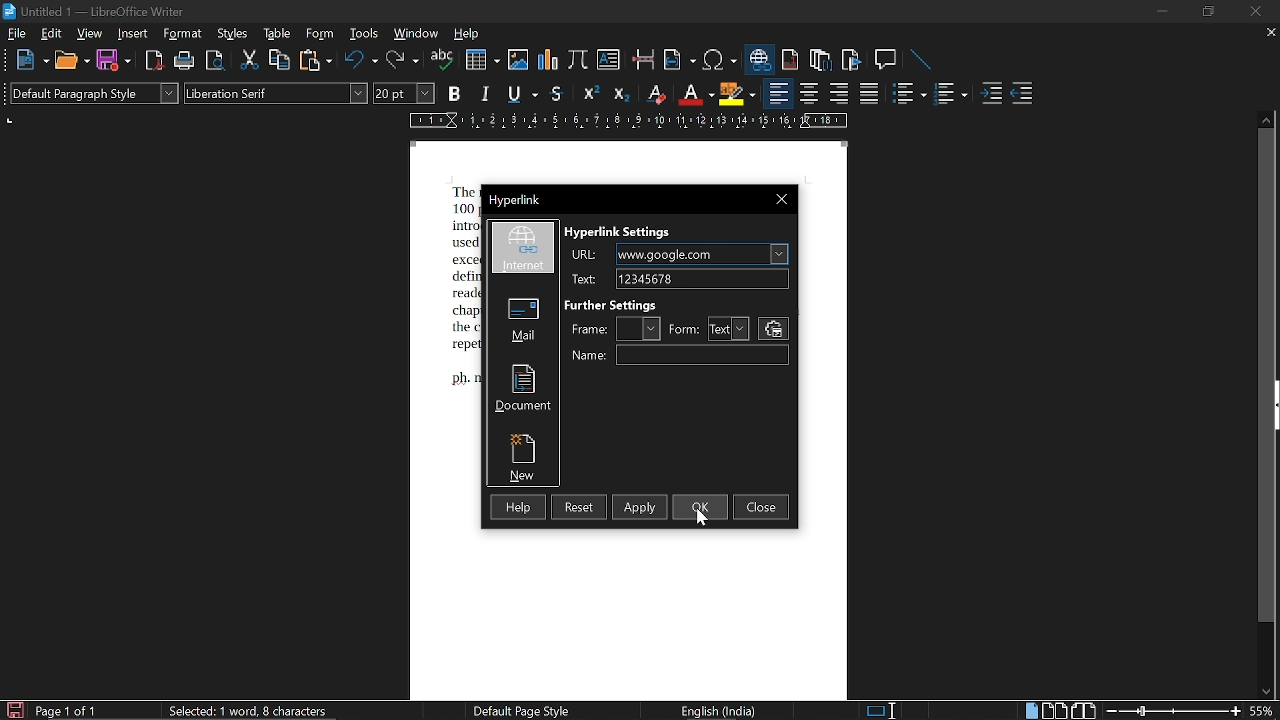  Describe the element at coordinates (1266, 376) in the screenshot. I see `vertical scrollbar` at that location.